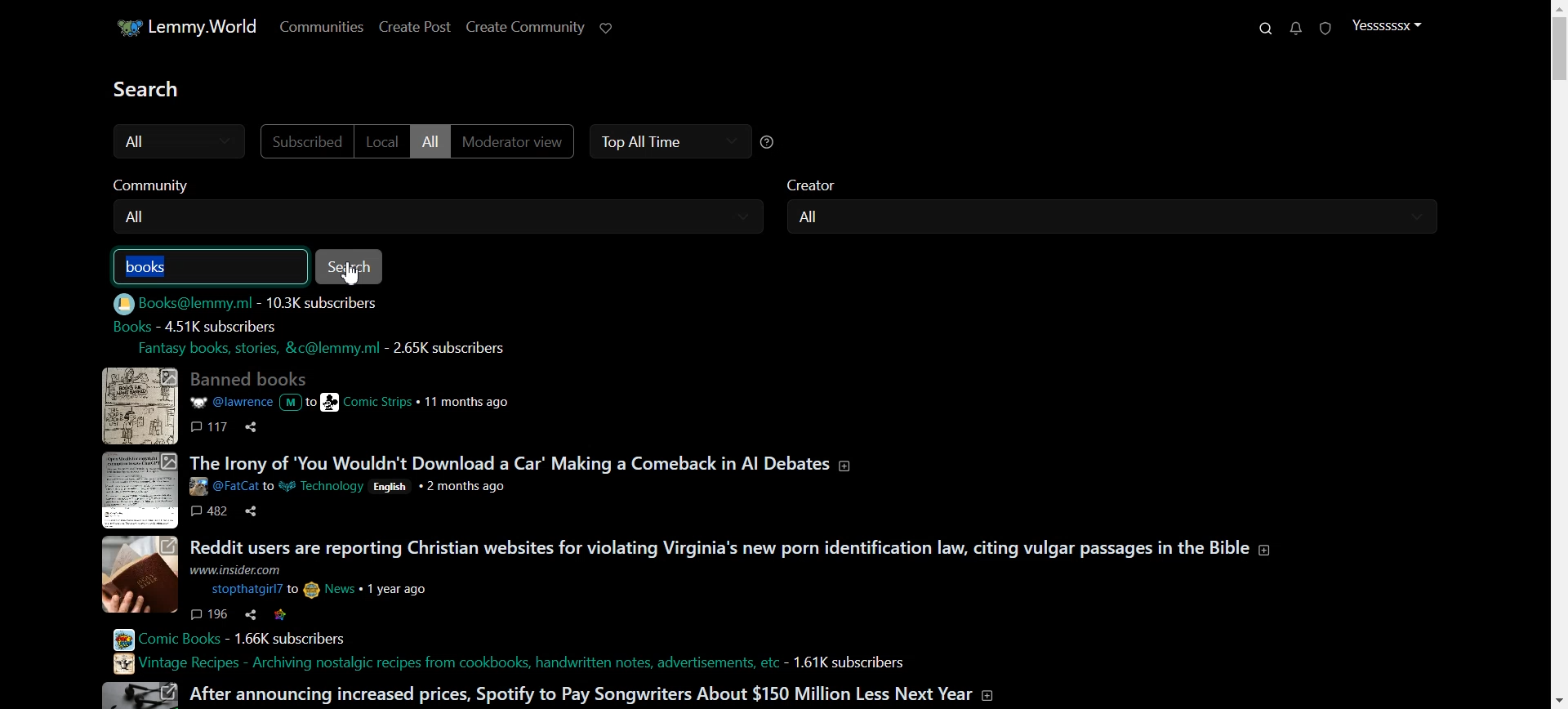 This screenshot has width=1568, height=709. I want to click on post details, so click(345, 485).